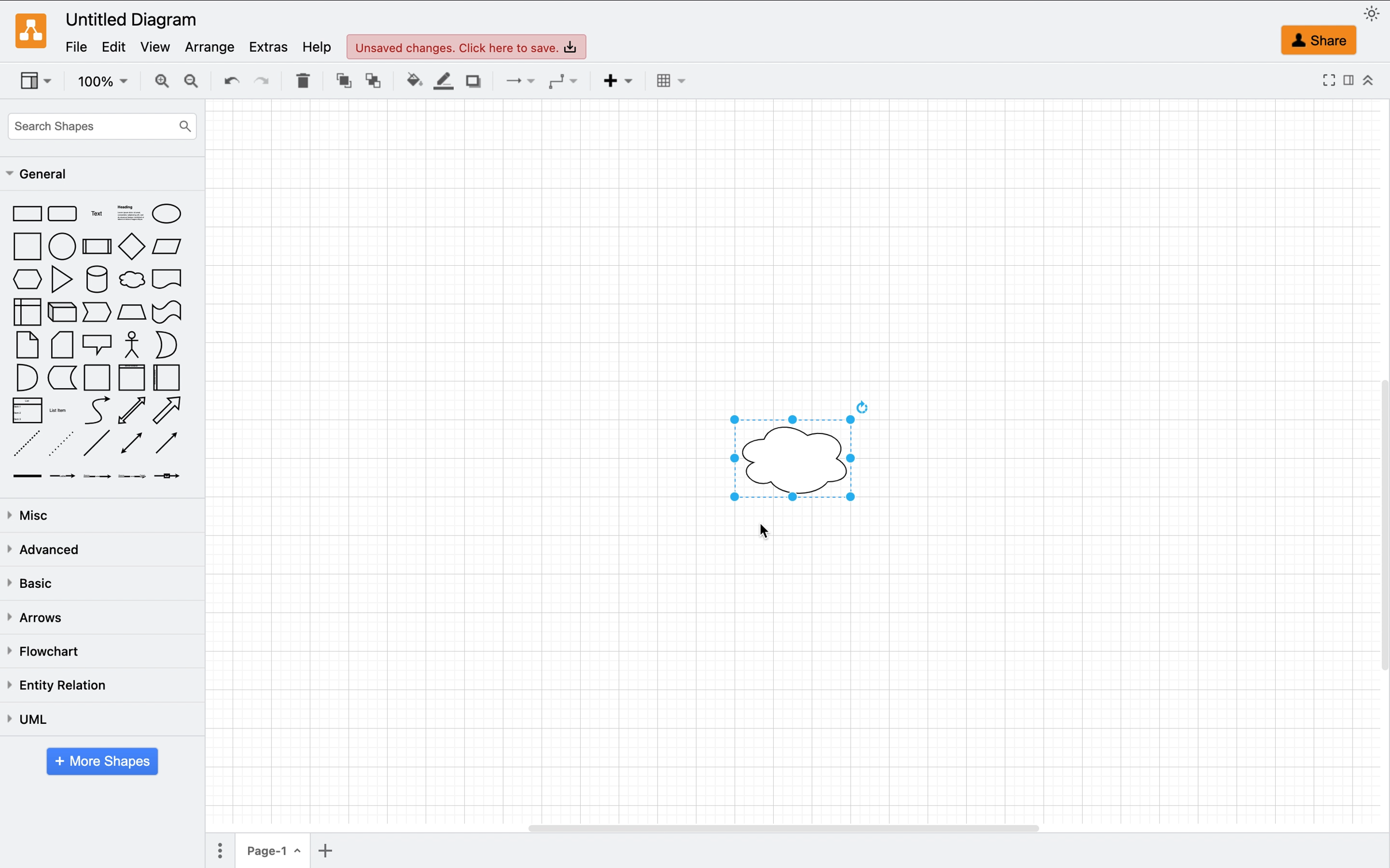  Describe the element at coordinates (262, 79) in the screenshot. I see `redo` at that location.